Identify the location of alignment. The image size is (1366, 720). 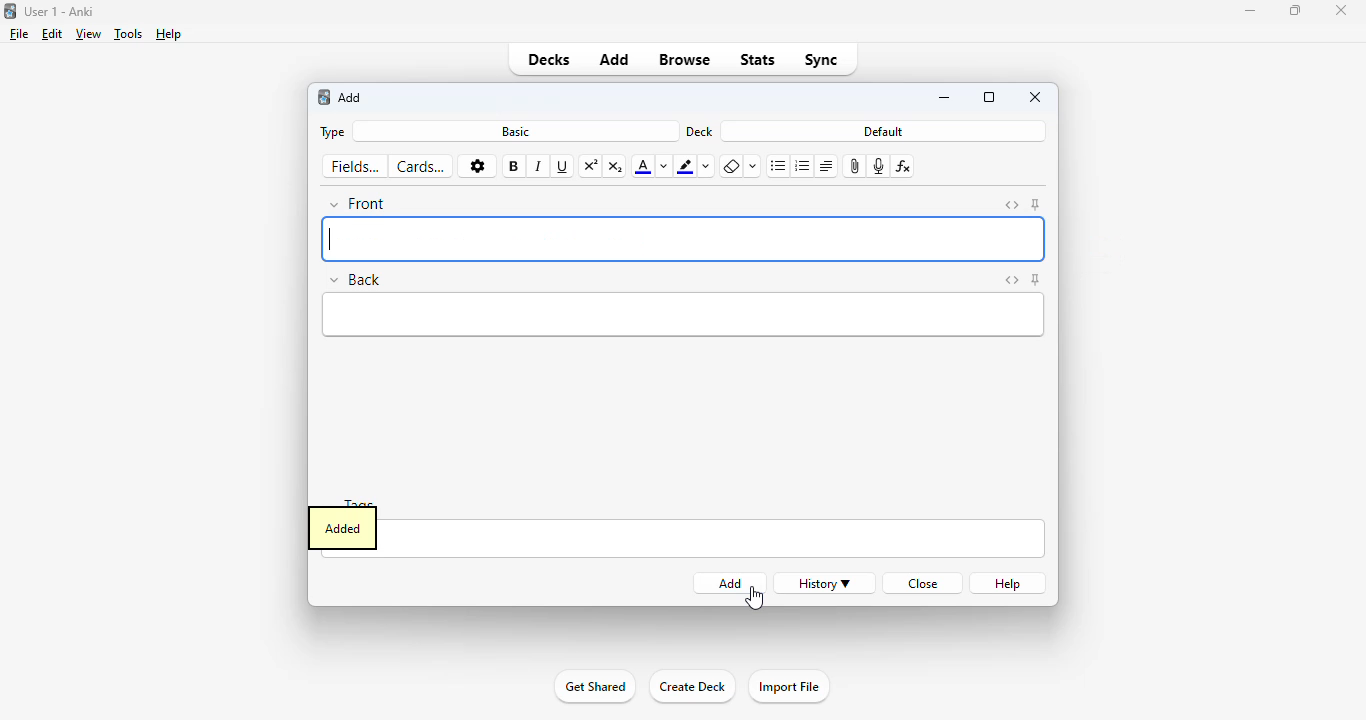
(826, 167).